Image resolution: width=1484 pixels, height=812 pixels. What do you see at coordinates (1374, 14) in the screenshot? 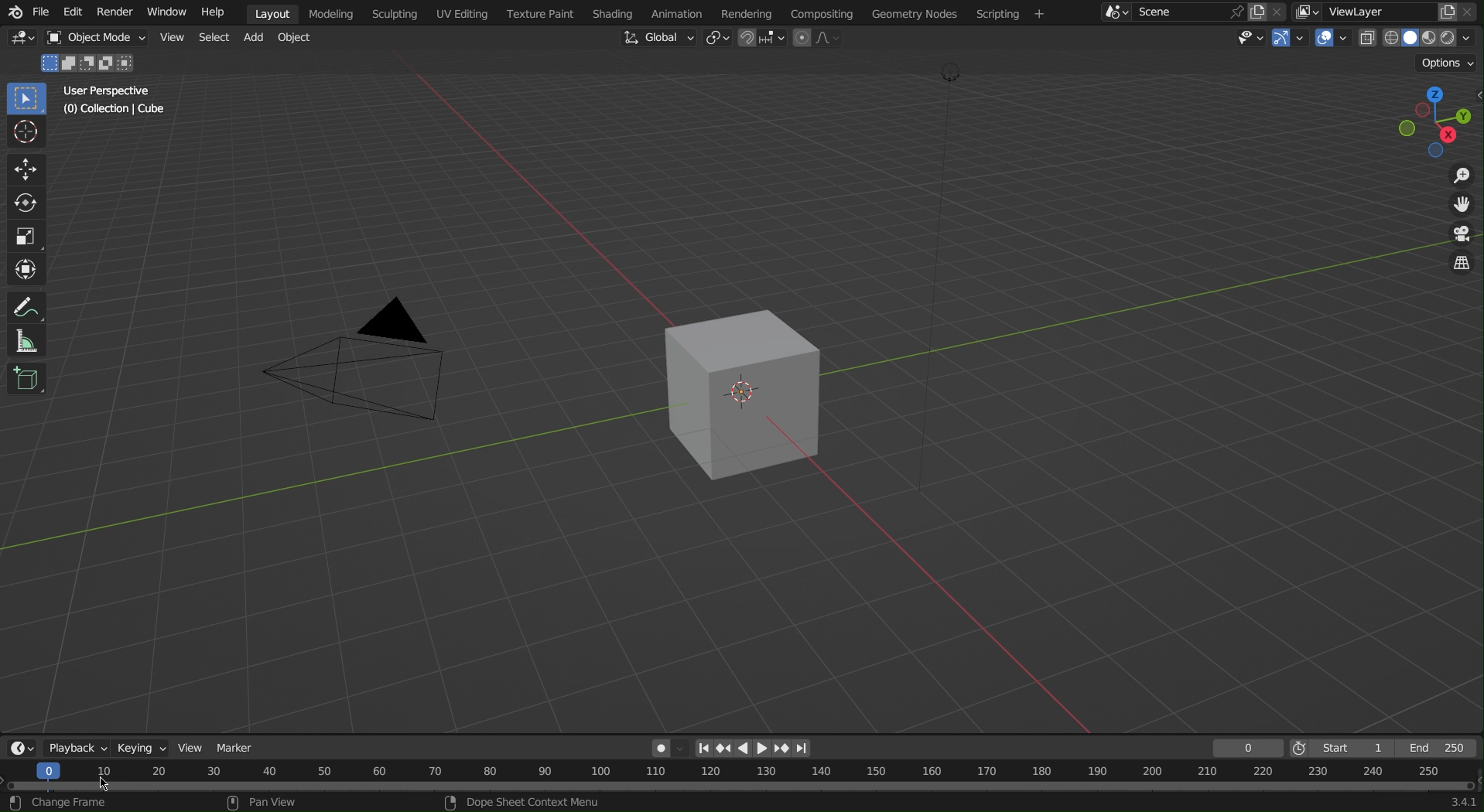
I see `ViewLayer` at bounding box center [1374, 14].